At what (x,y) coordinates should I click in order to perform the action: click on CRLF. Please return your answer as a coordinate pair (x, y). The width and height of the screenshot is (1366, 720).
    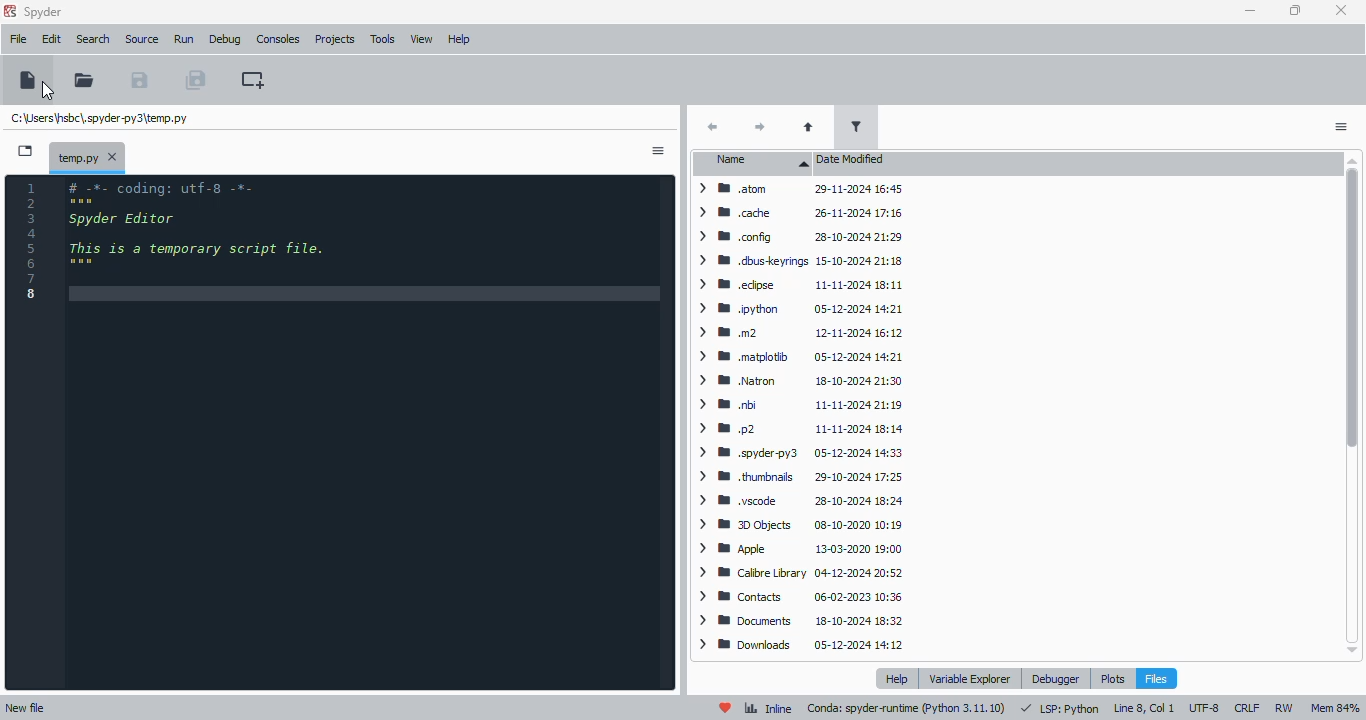
    Looking at the image, I should click on (1246, 708).